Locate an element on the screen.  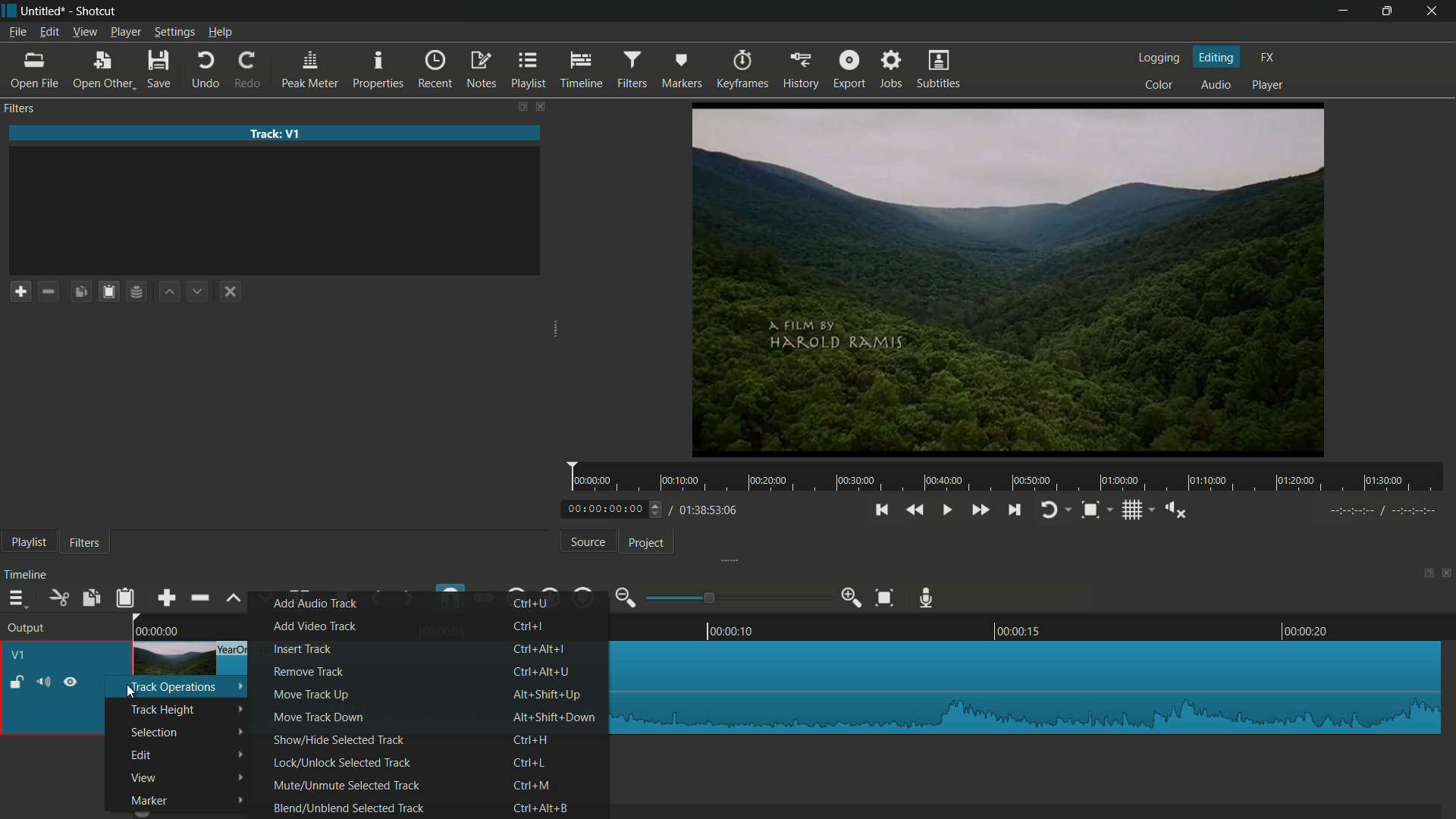
save filters is located at coordinates (110, 292).